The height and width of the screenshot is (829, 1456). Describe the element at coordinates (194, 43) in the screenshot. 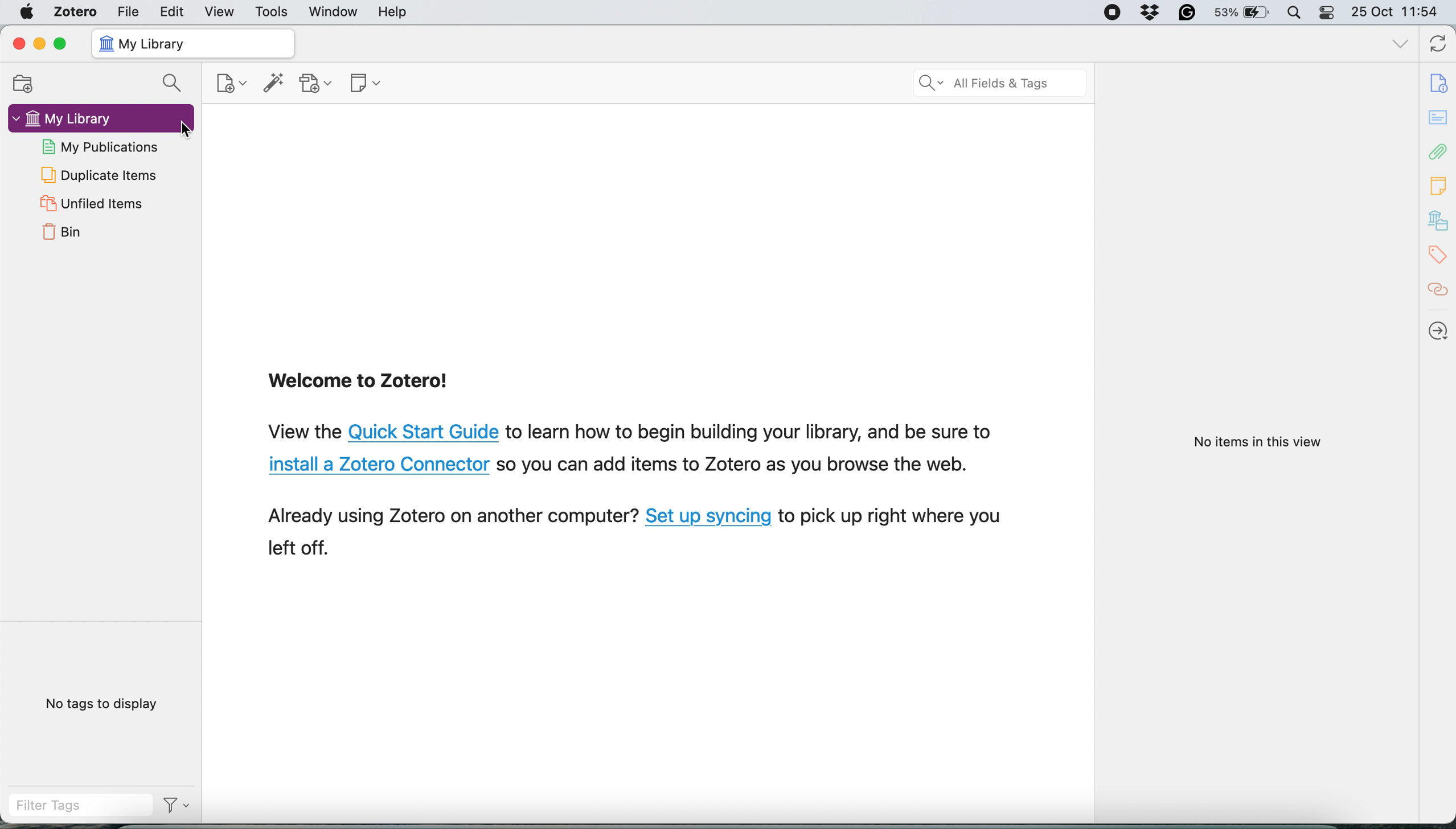

I see `my library` at that location.